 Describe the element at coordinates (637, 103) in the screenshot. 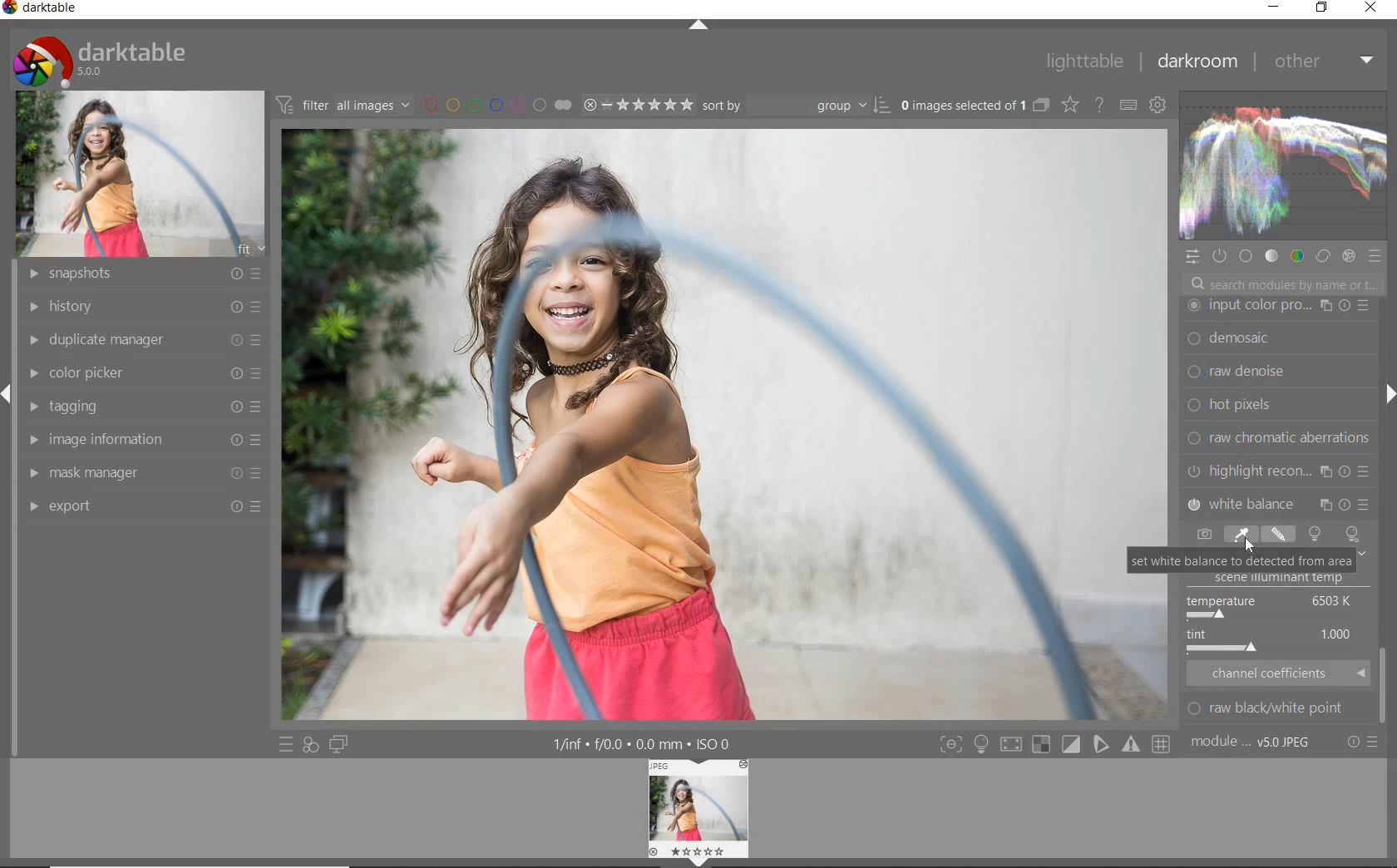

I see `selected image range rating` at that location.